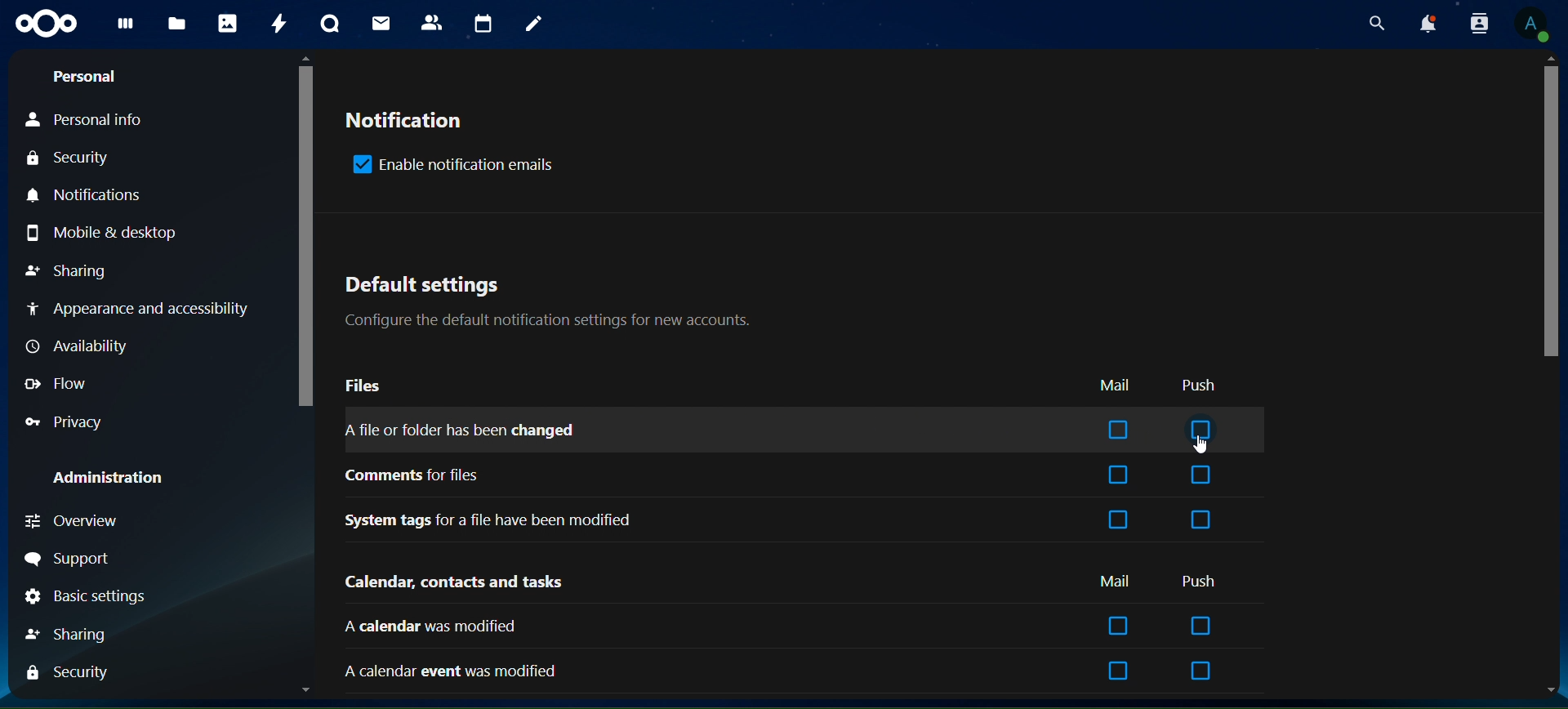  I want to click on files, so click(364, 388).